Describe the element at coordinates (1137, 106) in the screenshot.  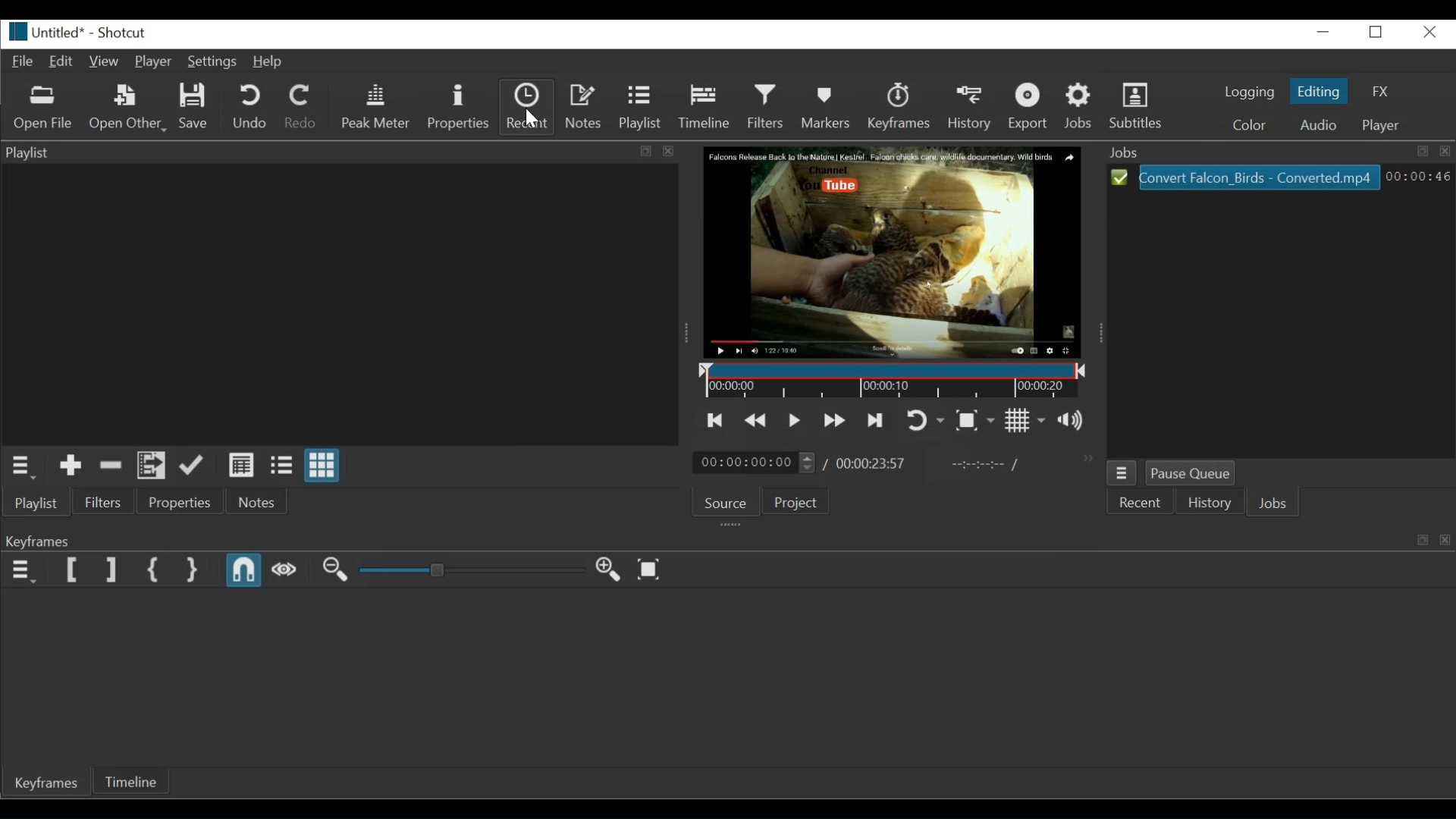
I see `Subtitles` at that location.